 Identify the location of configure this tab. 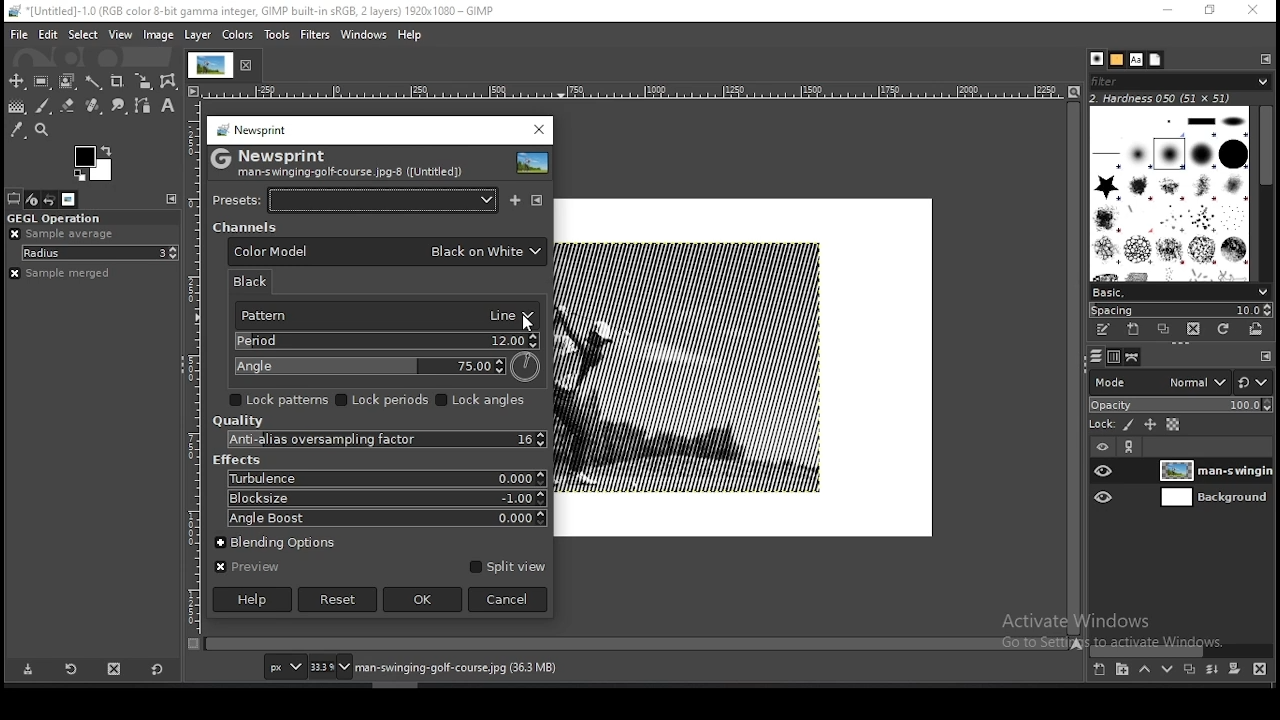
(1267, 356).